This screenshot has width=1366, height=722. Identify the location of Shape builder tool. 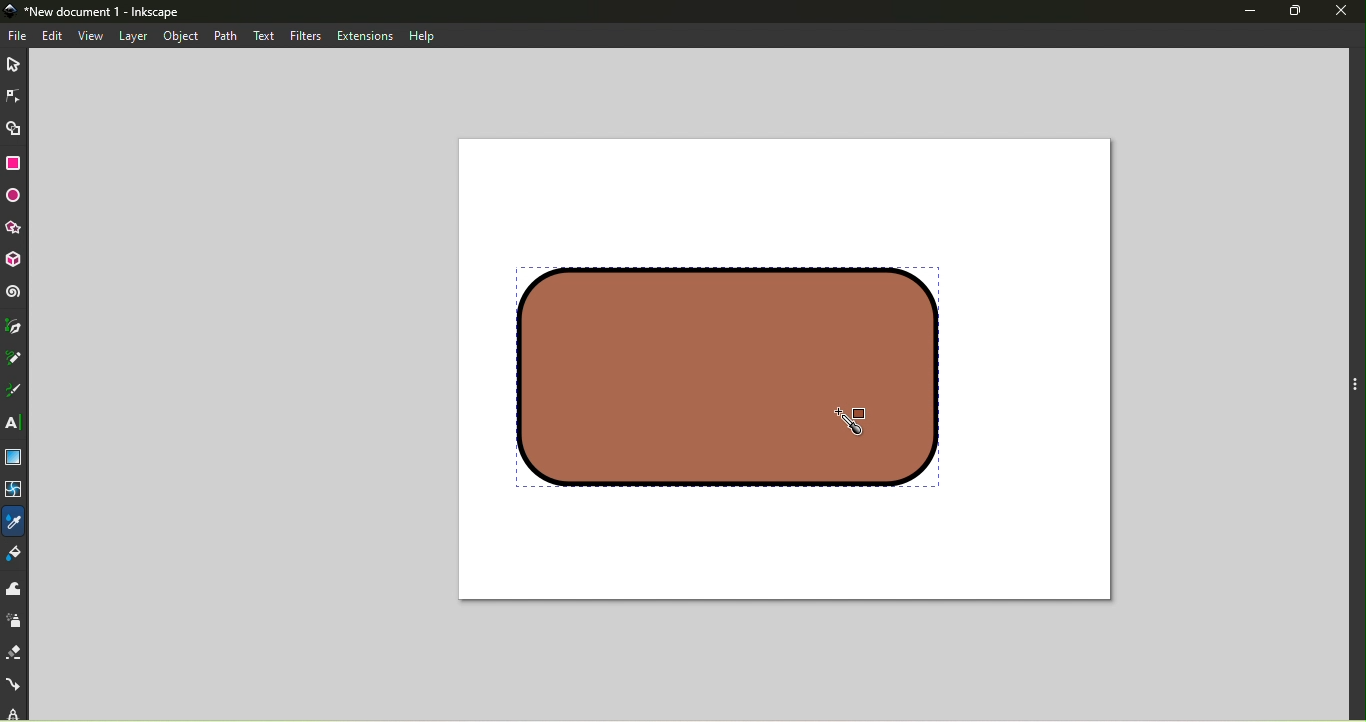
(14, 127).